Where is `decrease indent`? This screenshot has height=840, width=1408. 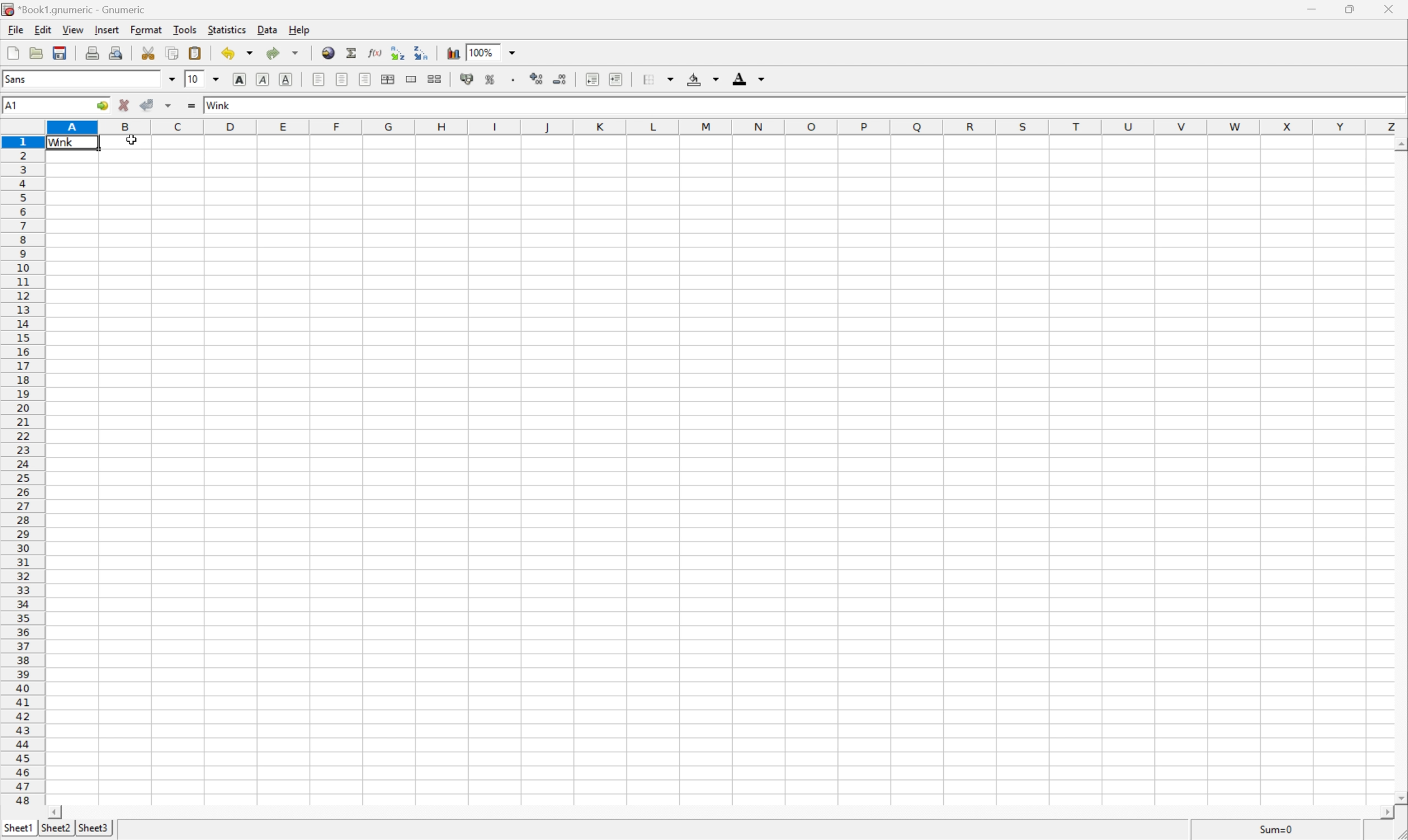 decrease indent is located at coordinates (592, 79).